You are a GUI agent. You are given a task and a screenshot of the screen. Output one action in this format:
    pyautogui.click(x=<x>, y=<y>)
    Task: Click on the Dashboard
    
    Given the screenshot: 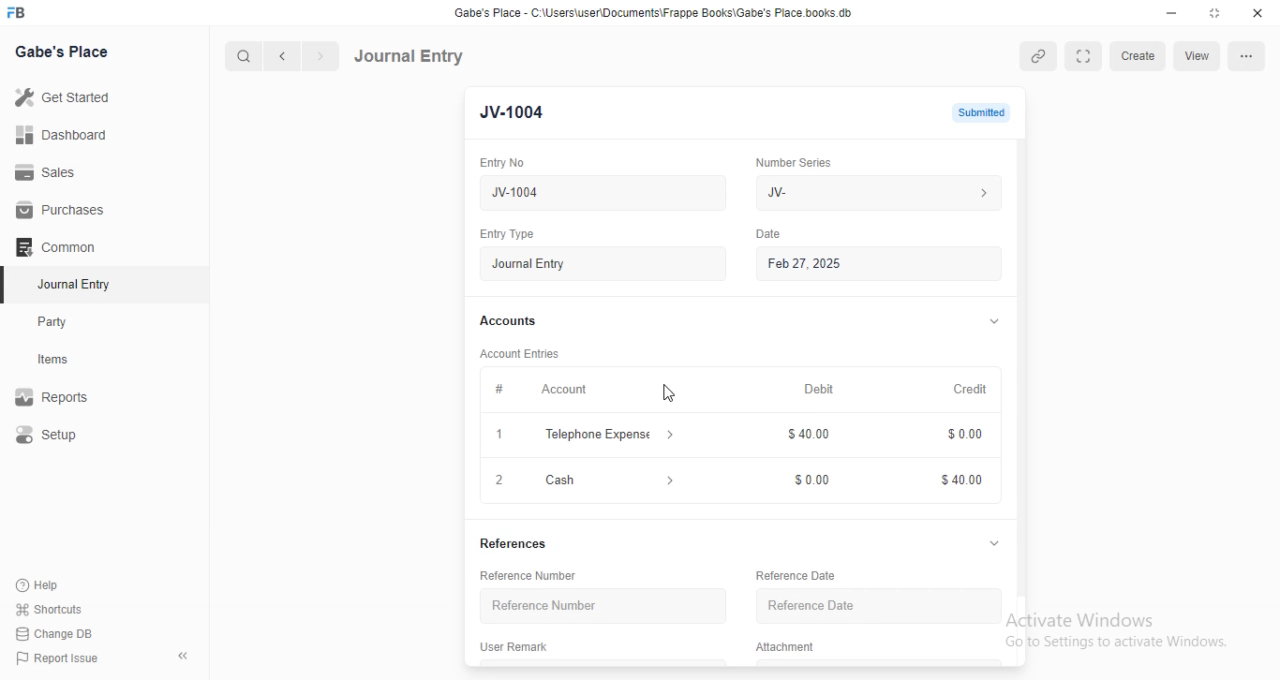 What is the action you would take?
    pyautogui.click(x=62, y=135)
    